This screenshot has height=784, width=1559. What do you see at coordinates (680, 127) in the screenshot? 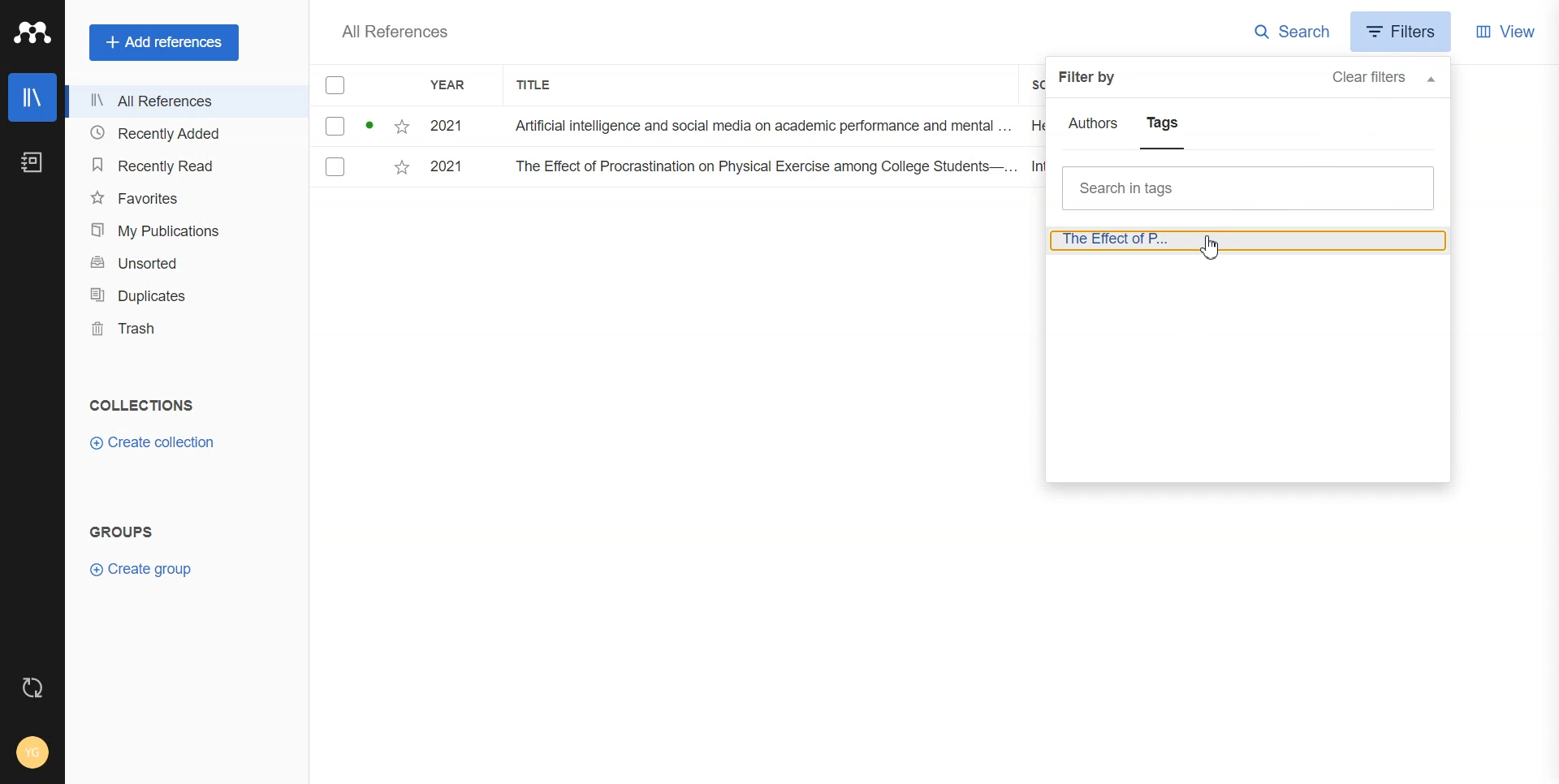
I see `File` at bounding box center [680, 127].